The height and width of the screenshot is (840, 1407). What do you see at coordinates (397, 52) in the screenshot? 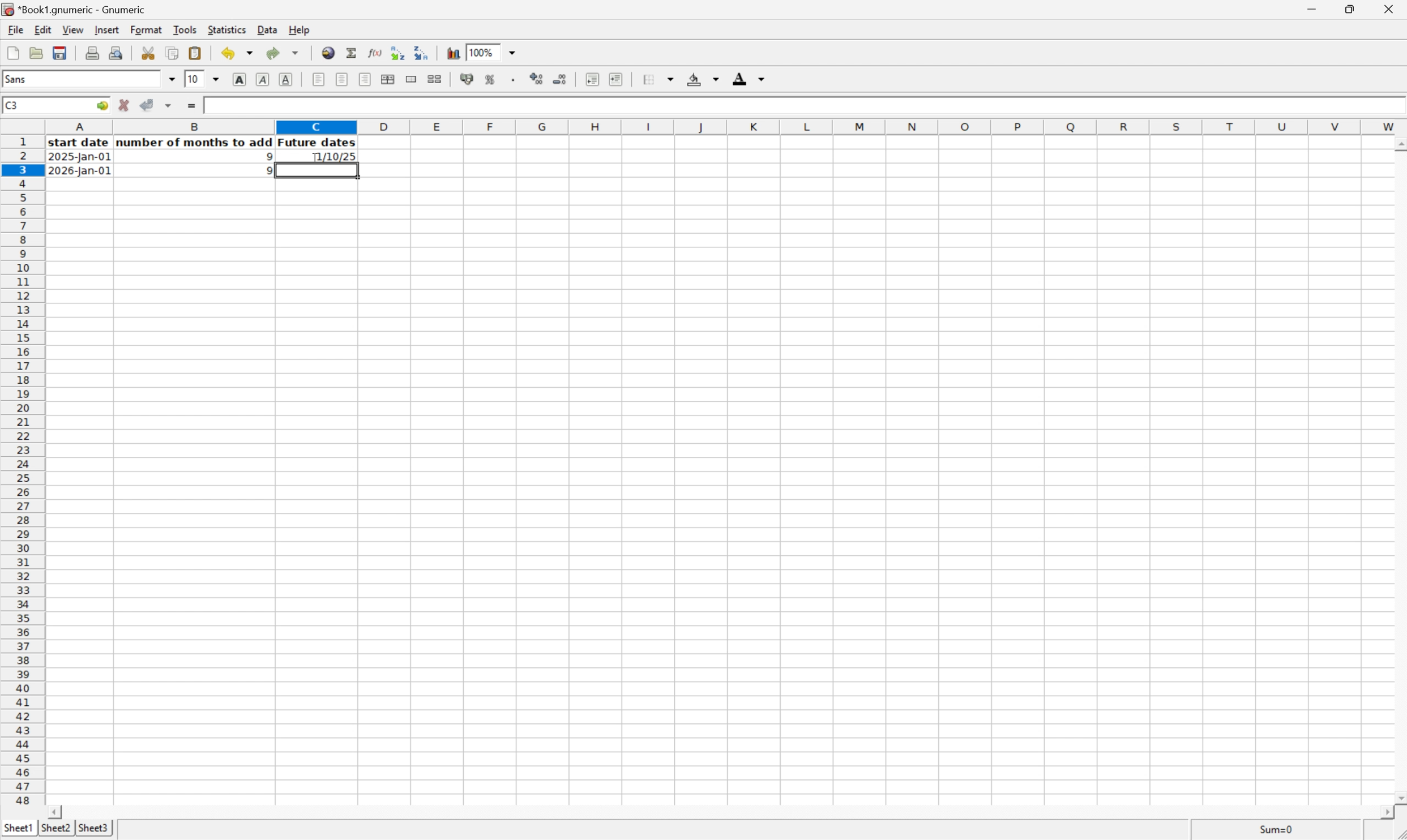
I see `Sort the selected region in ascending order based on the first column selected` at bounding box center [397, 52].